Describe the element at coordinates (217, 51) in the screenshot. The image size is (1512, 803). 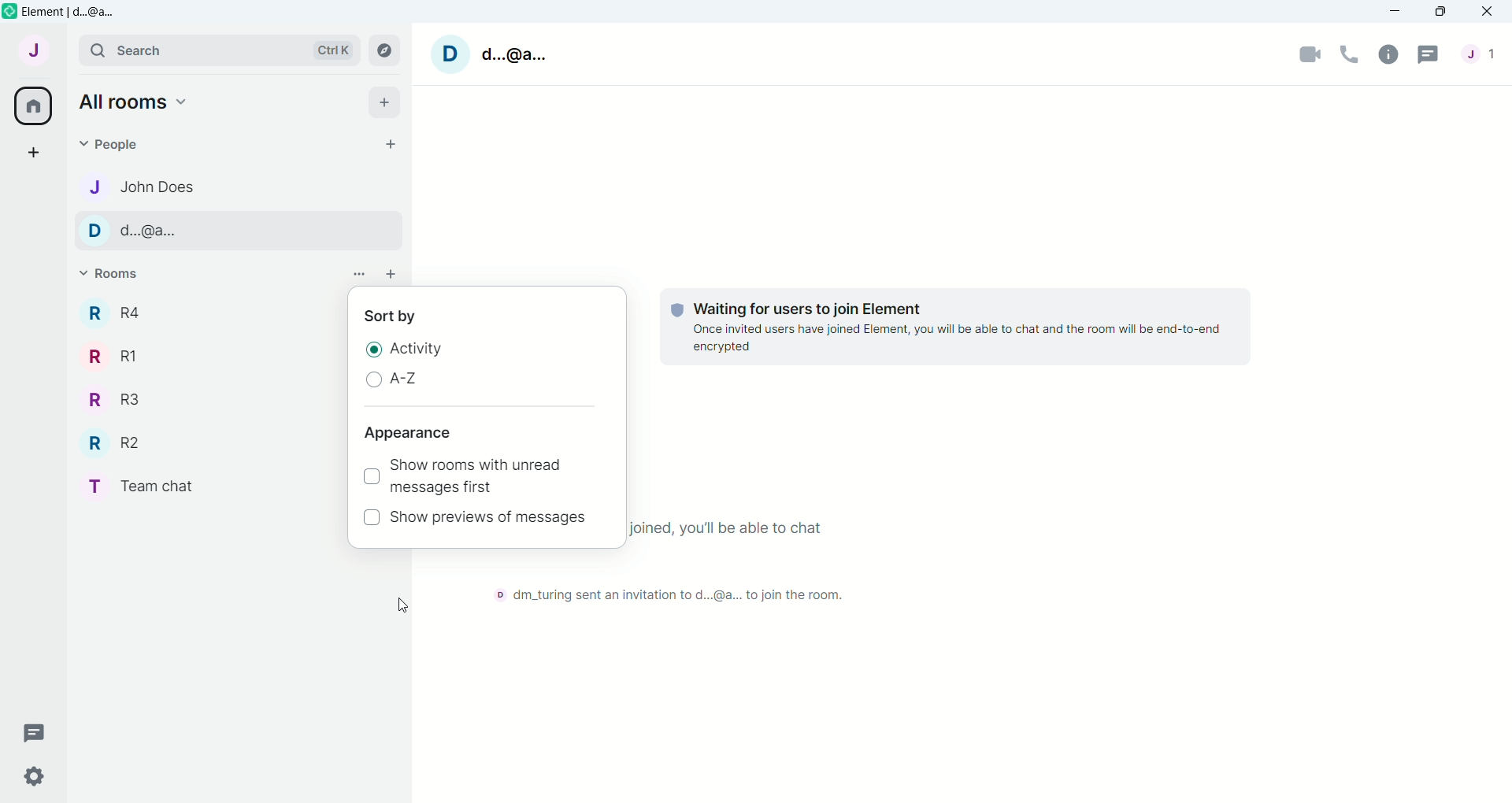
I see `Search bar` at that location.